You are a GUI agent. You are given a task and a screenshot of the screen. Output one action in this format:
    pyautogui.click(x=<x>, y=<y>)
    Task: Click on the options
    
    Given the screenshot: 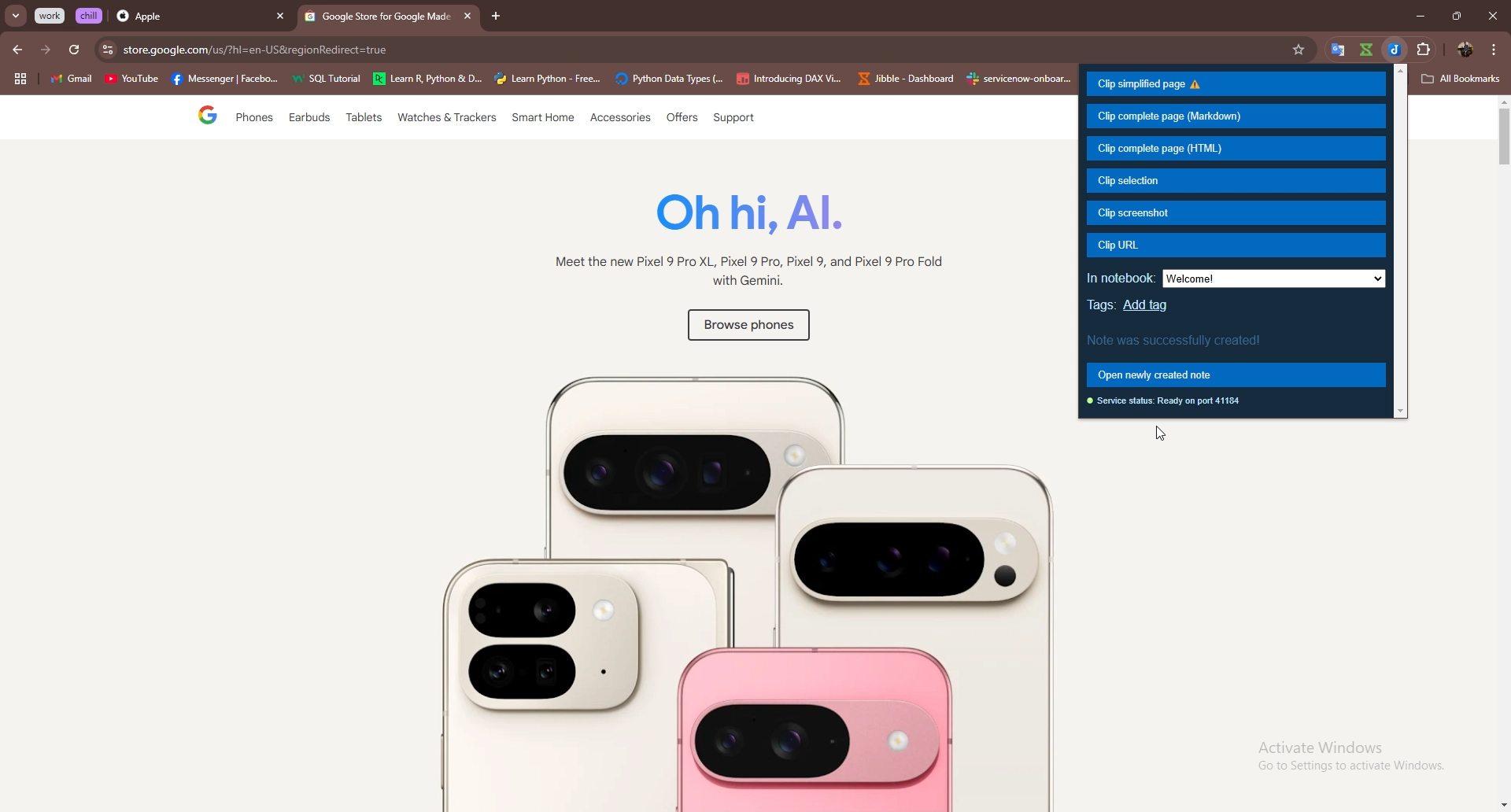 What is the action you would take?
    pyautogui.click(x=1494, y=49)
    